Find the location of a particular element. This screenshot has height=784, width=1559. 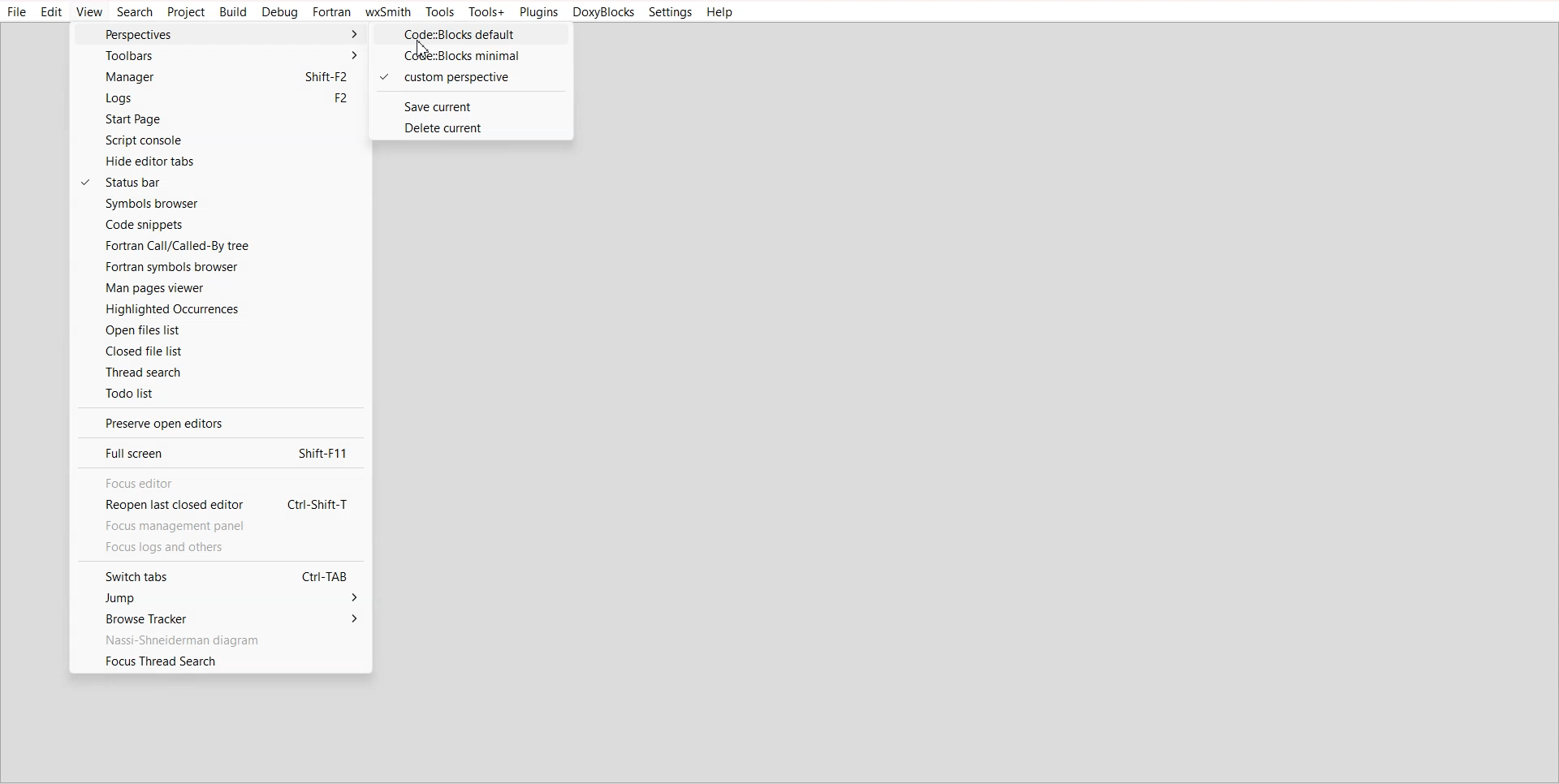

Search is located at coordinates (135, 12).